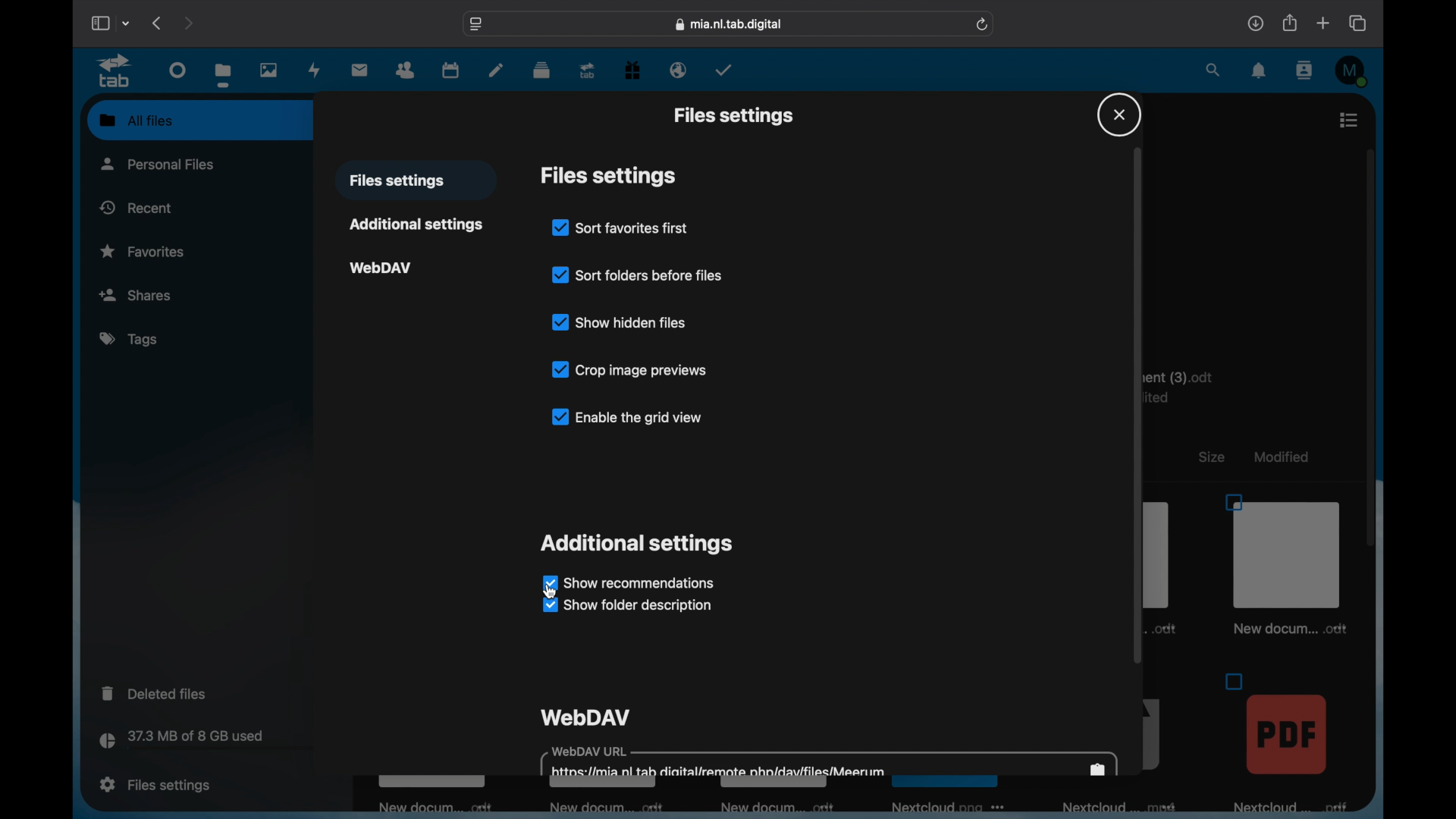 The image size is (1456, 819). I want to click on webdav, so click(382, 268).